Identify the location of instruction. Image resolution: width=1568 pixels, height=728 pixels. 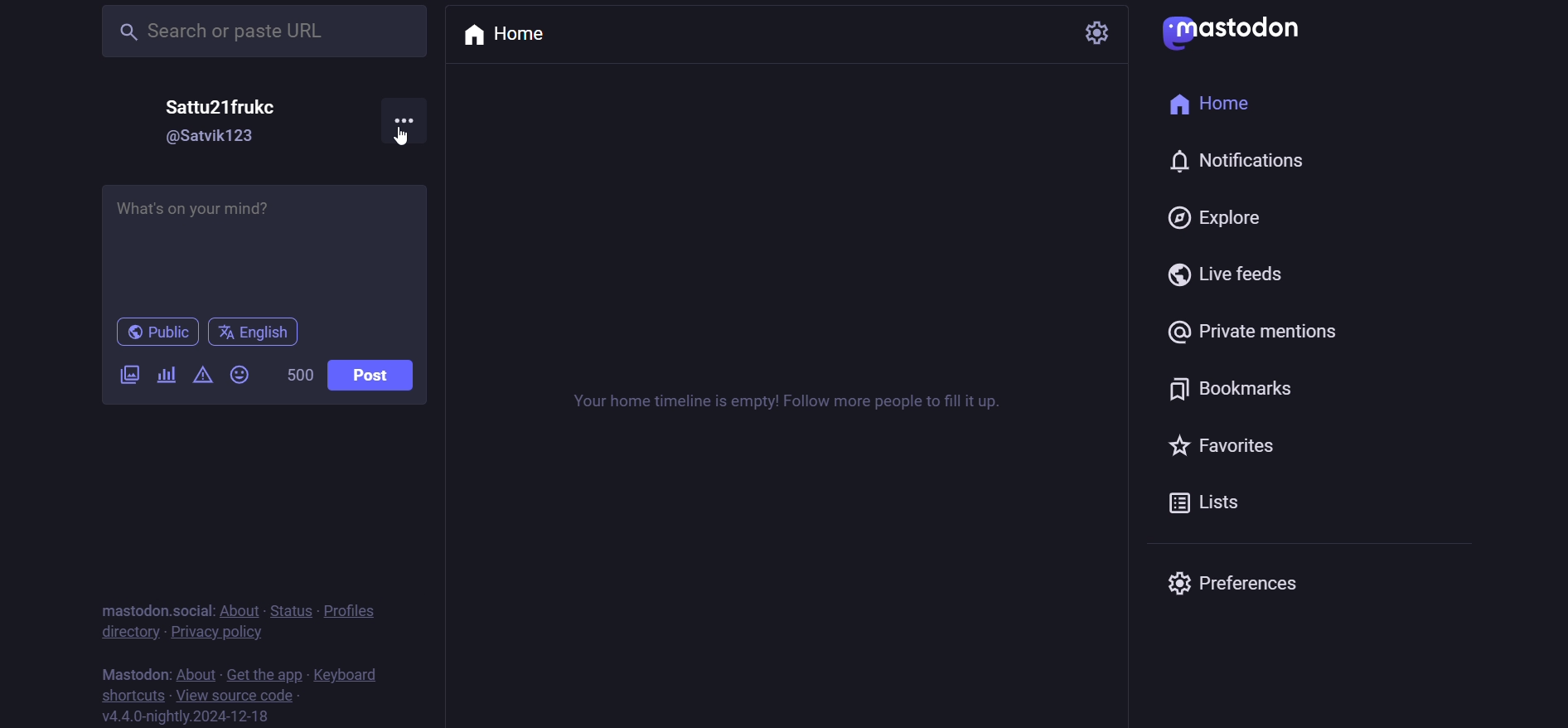
(789, 410).